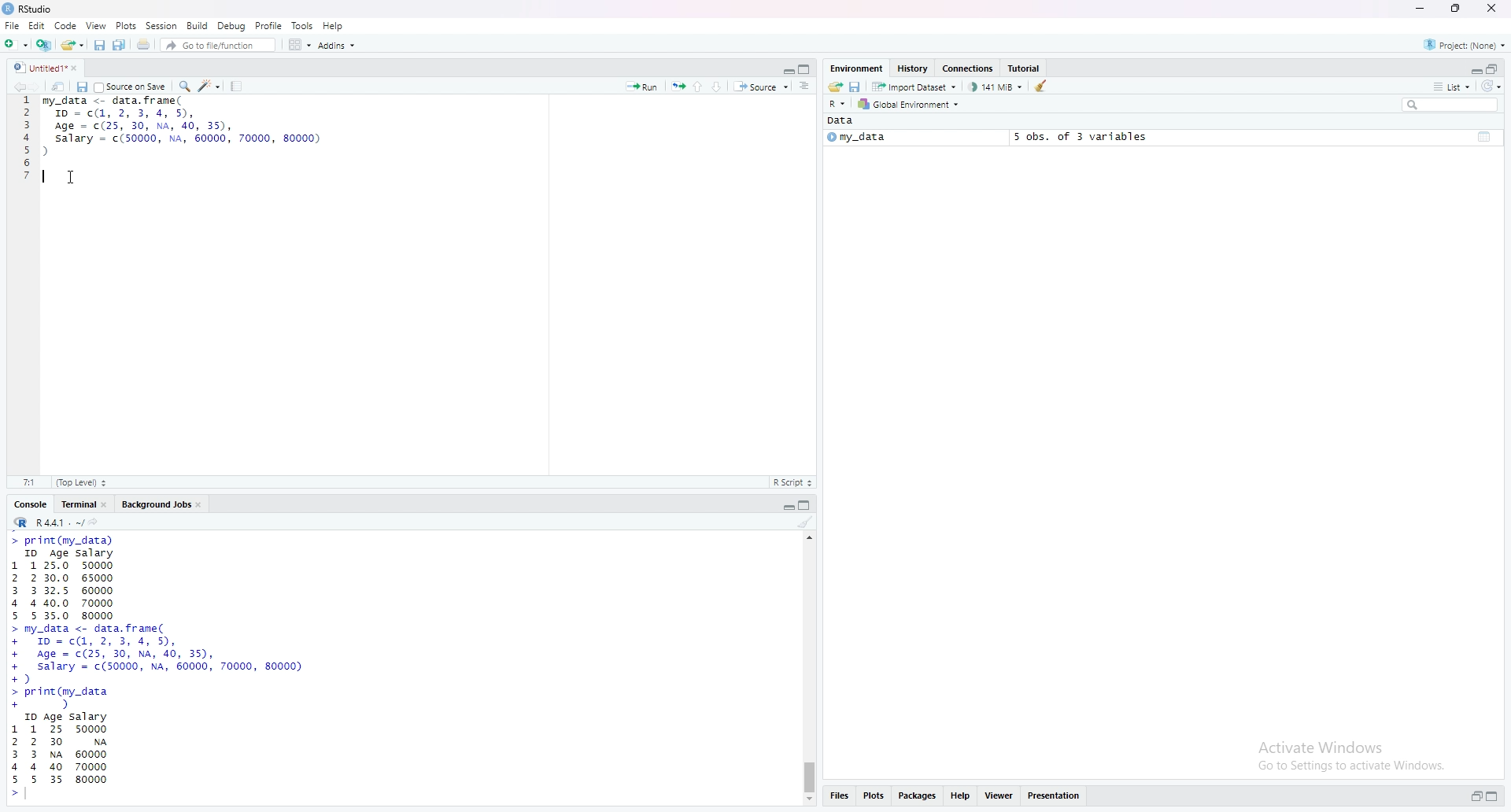 Image resolution: width=1511 pixels, height=812 pixels. What do you see at coordinates (918, 88) in the screenshot?
I see `import dataset` at bounding box center [918, 88].